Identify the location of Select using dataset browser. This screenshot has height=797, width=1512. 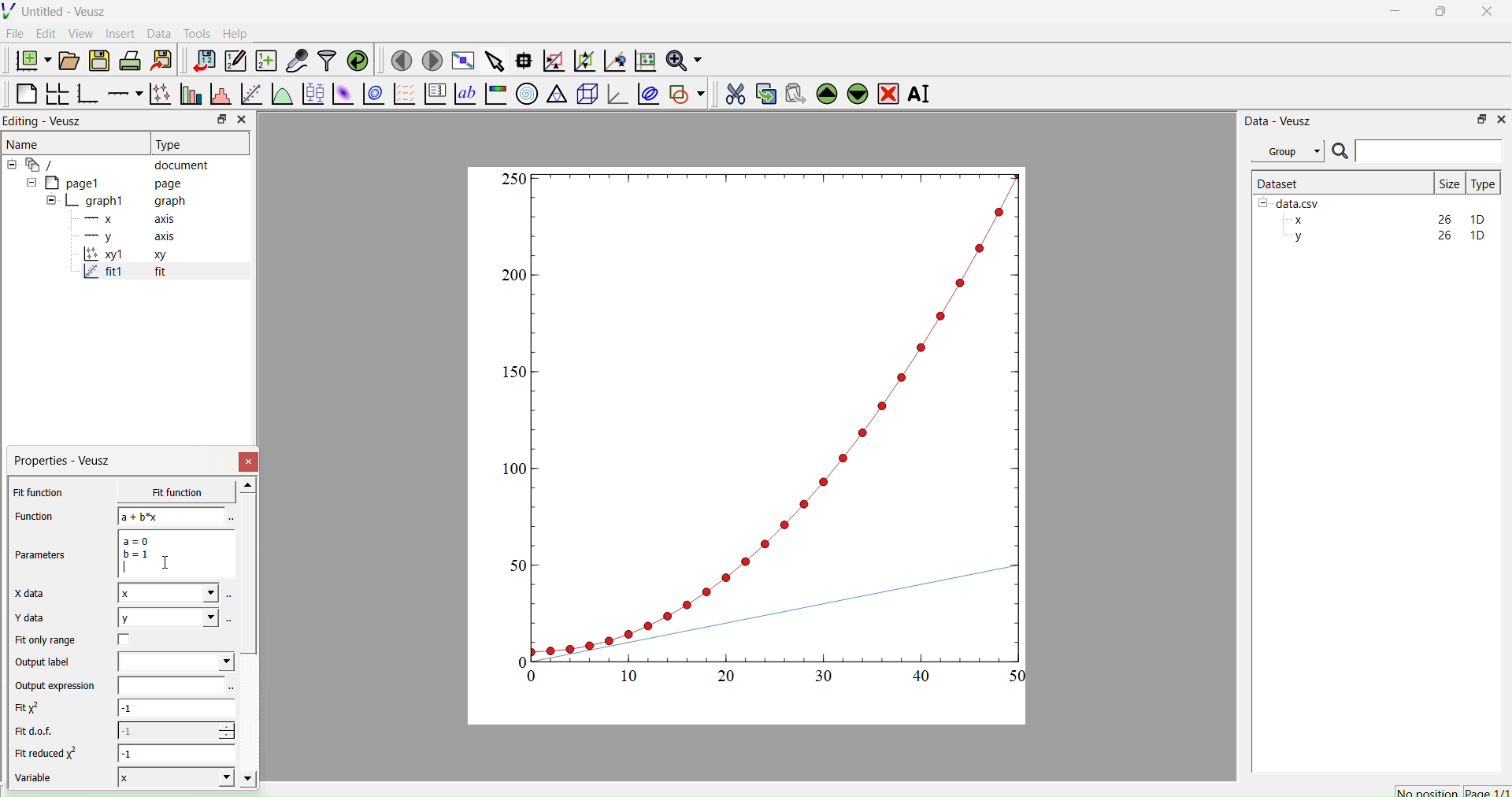
(229, 519).